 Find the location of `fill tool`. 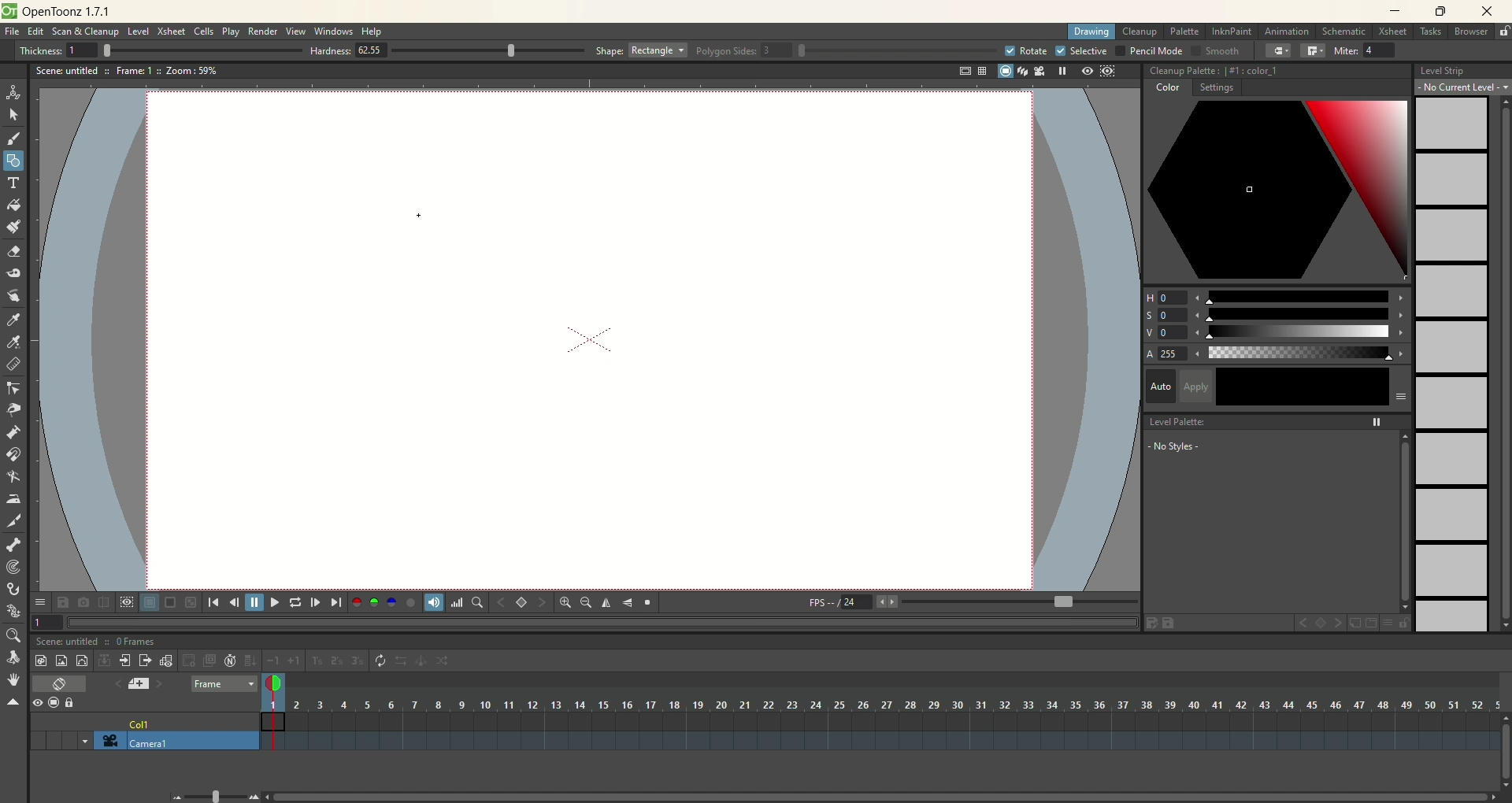

fill tool is located at coordinates (13, 205).